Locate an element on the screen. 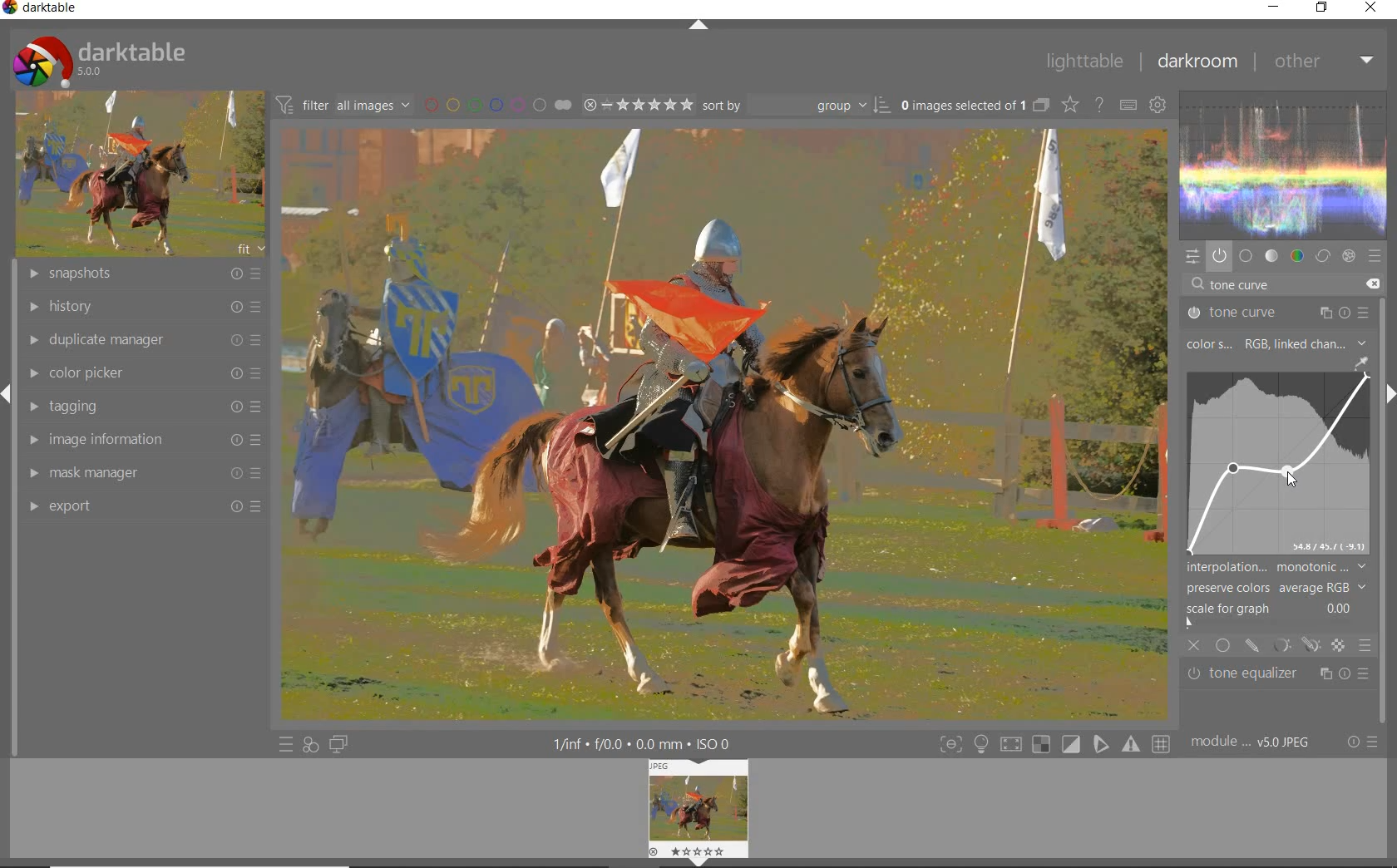  darktable is located at coordinates (98, 57).